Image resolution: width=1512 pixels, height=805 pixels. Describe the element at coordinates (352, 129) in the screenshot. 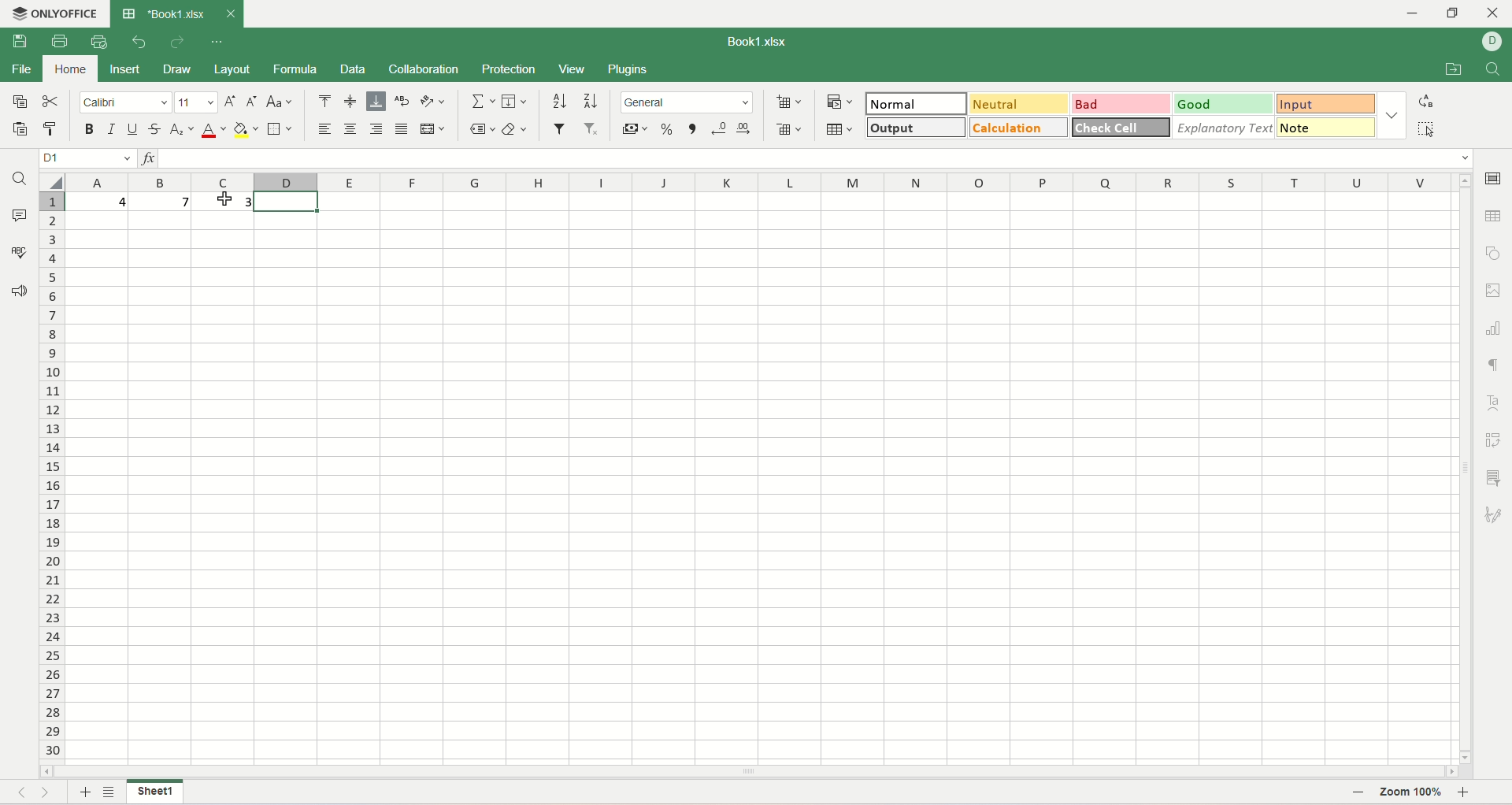

I see `align center` at that location.